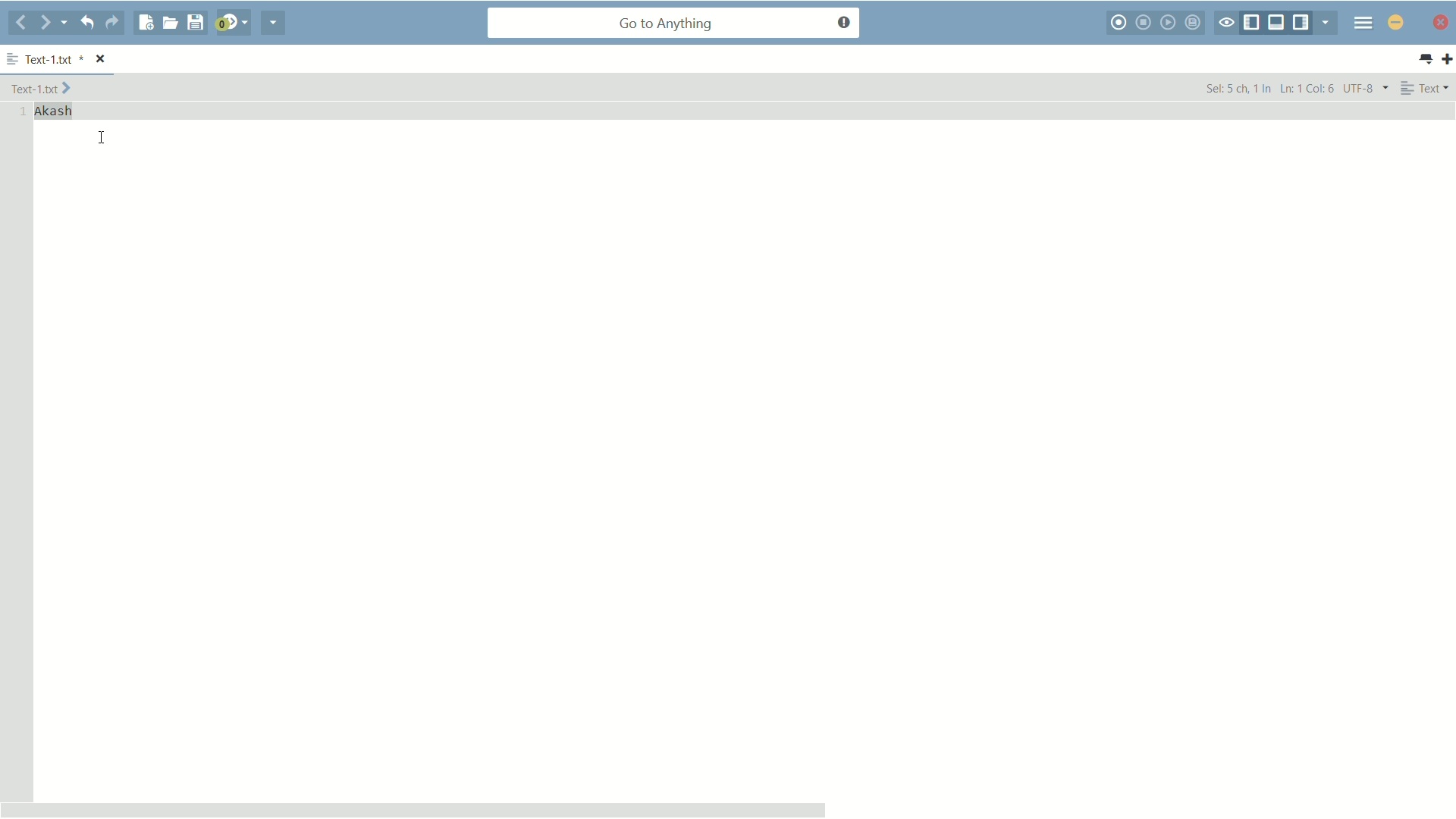  I want to click on line encoding, so click(1367, 87).